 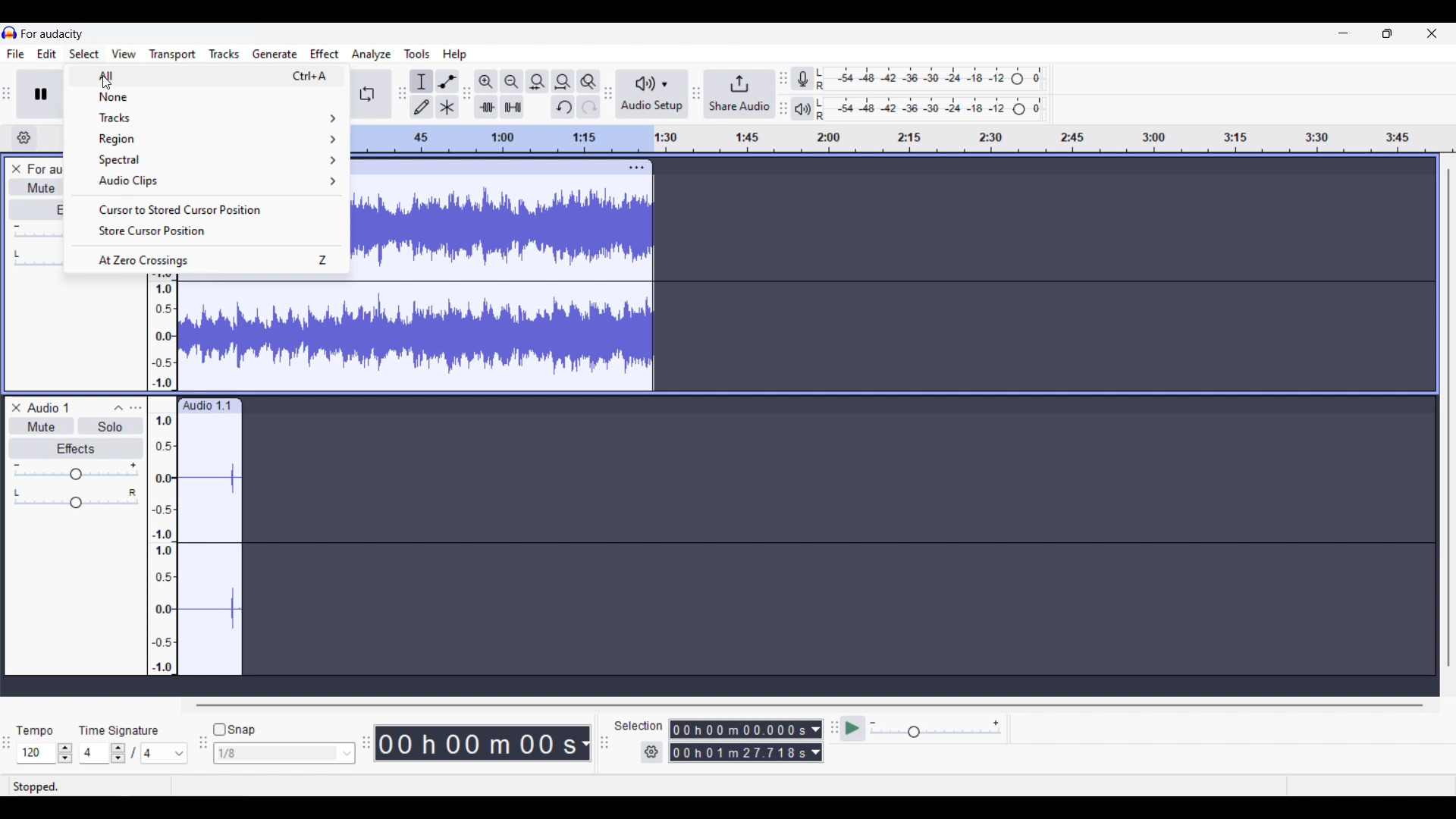 I want to click on Selection duration, so click(x=739, y=742).